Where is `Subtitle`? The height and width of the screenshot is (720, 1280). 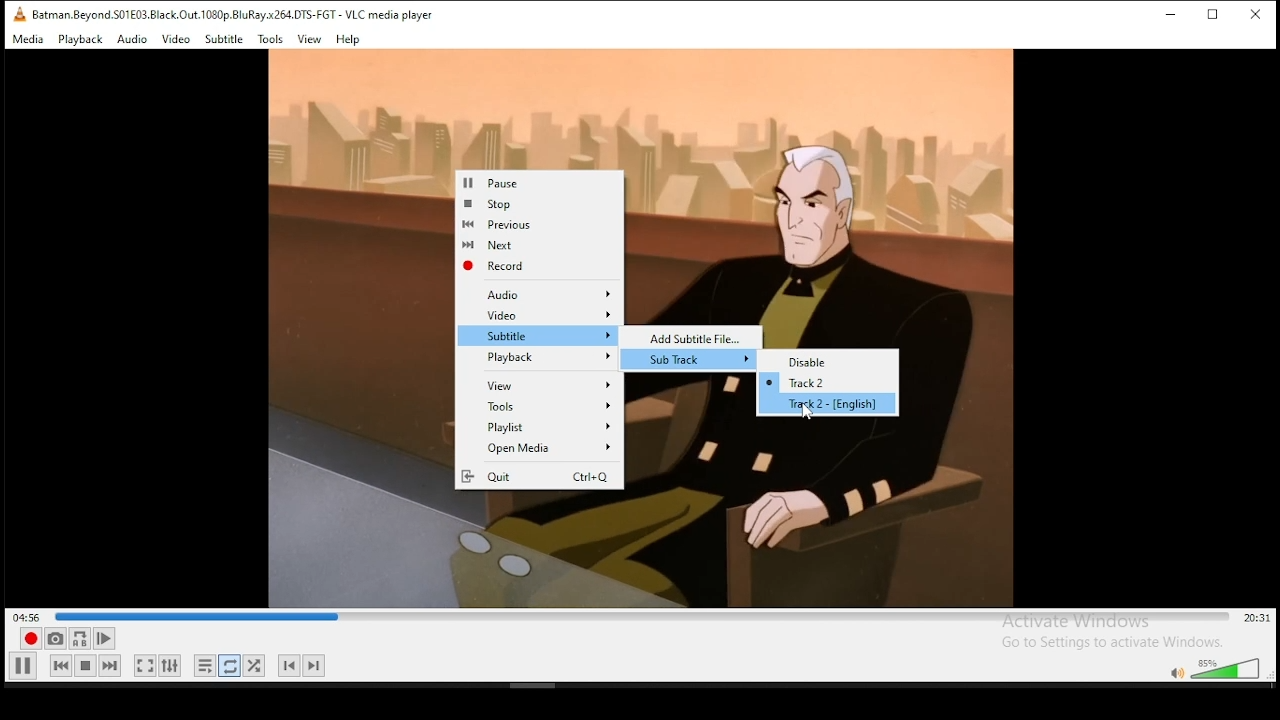
Subtitle is located at coordinates (224, 40).